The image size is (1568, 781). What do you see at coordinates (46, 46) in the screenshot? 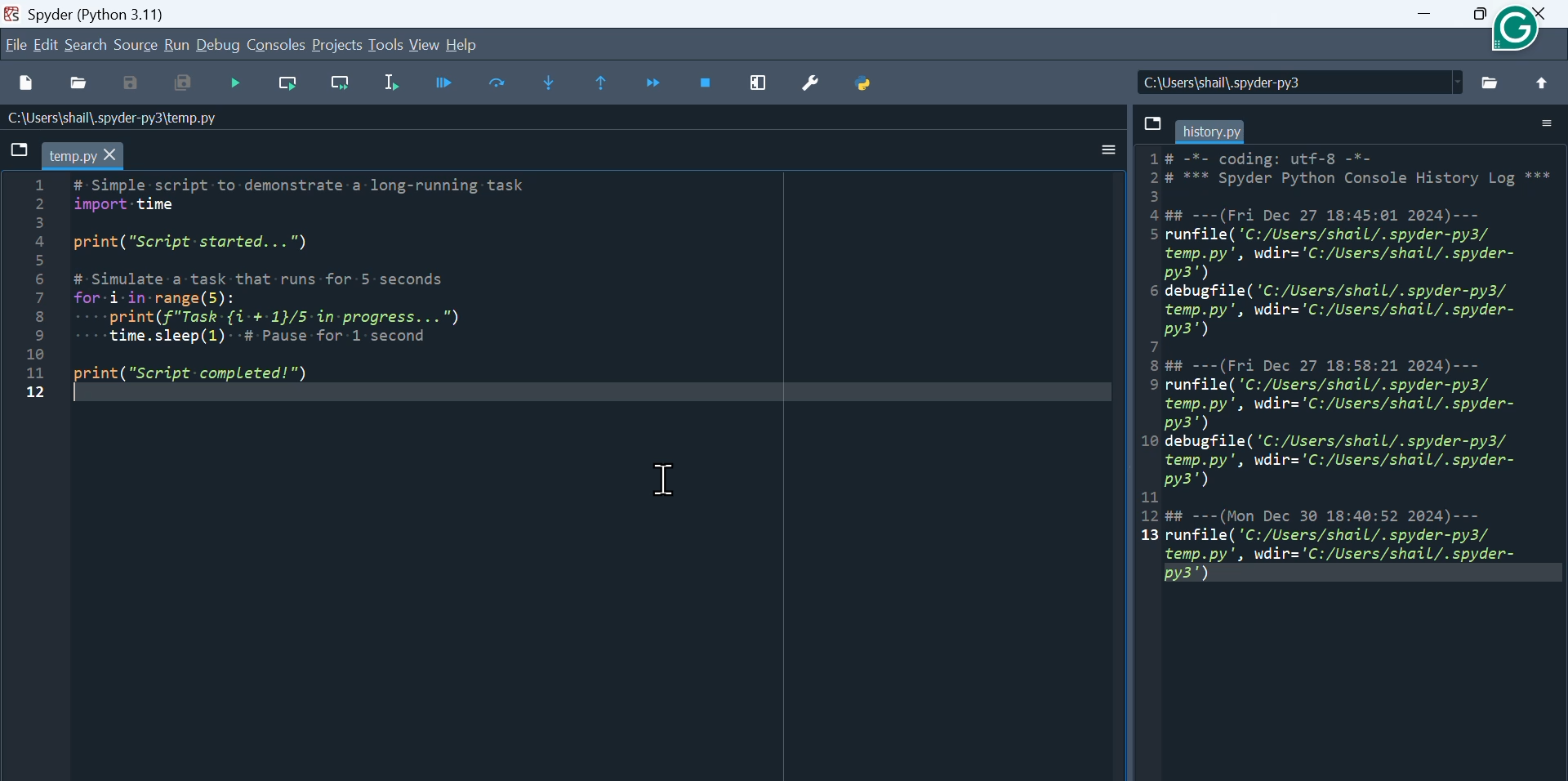
I see `Edit` at bounding box center [46, 46].